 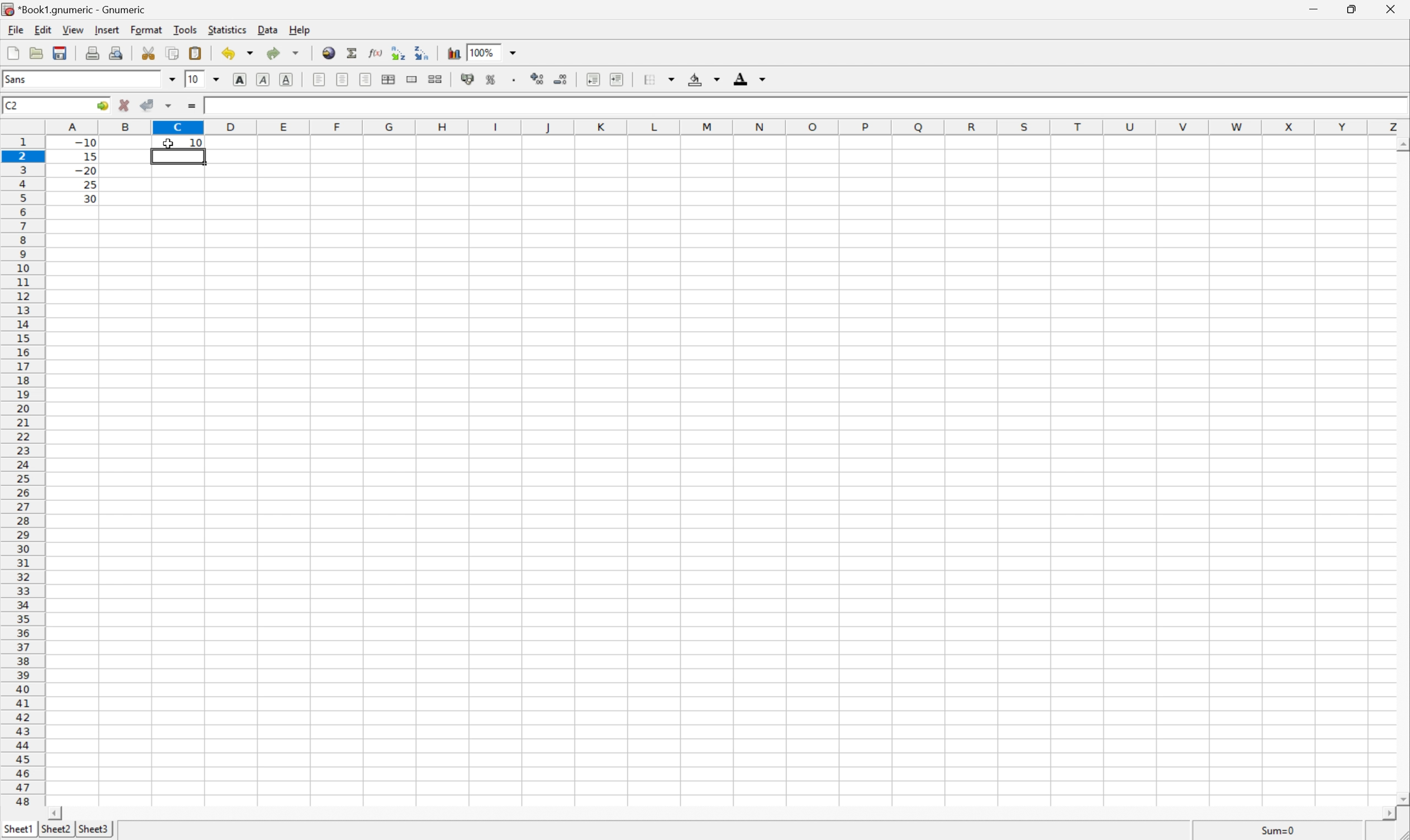 I want to click on -10, so click(x=86, y=141).